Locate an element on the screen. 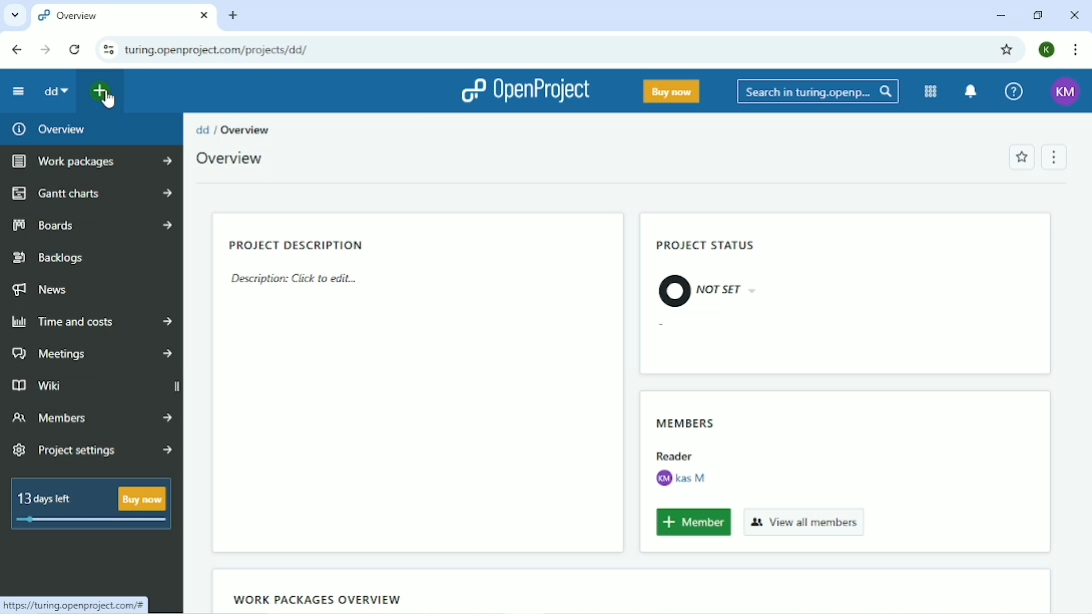 The width and height of the screenshot is (1092, 614). News is located at coordinates (44, 291).